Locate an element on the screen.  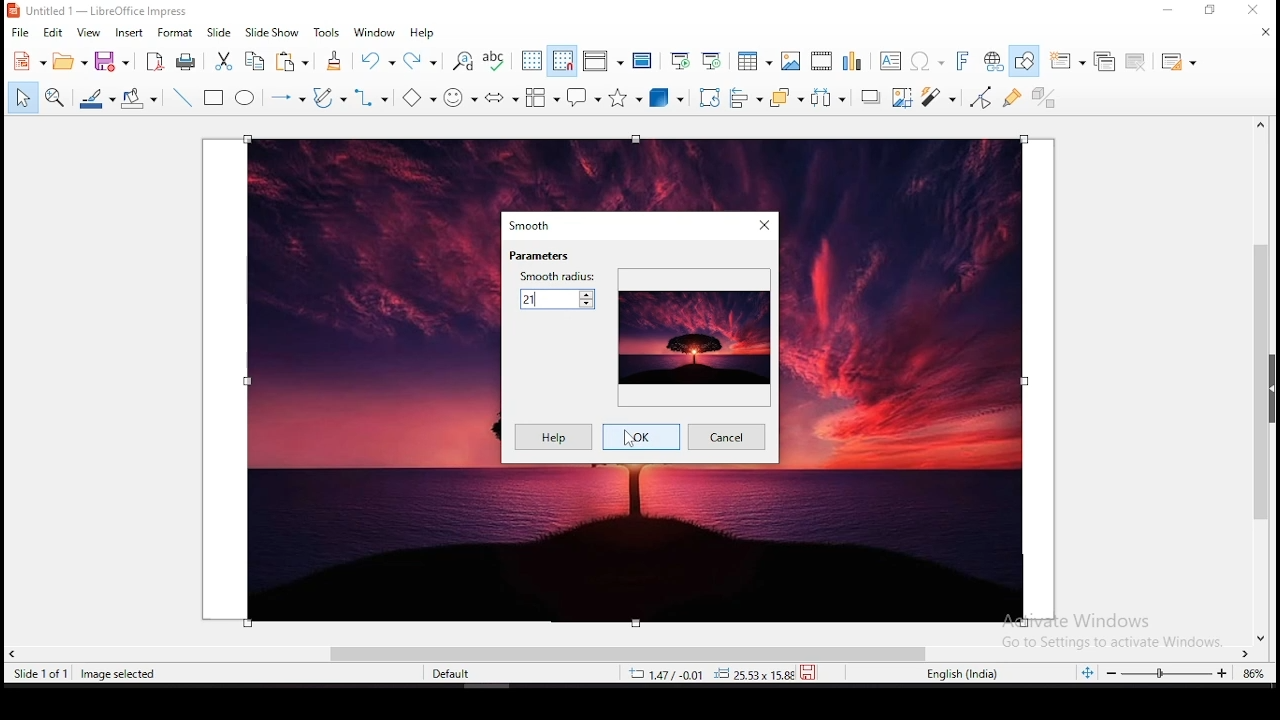
callout shape is located at coordinates (584, 101).